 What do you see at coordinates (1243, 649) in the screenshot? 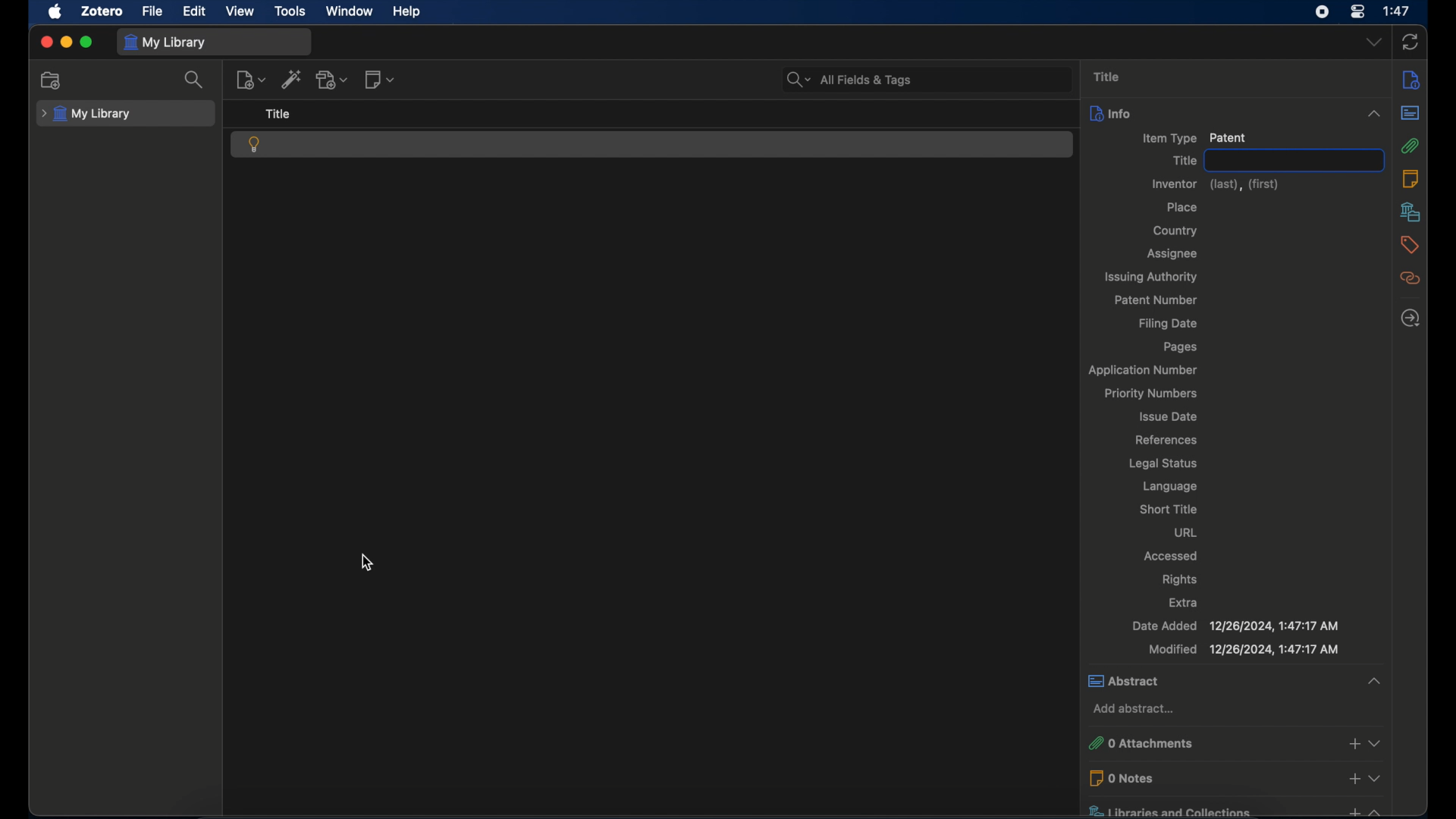
I see `modified 12/26/2024, 1:47:17 AM` at bounding box center [1243, 649].